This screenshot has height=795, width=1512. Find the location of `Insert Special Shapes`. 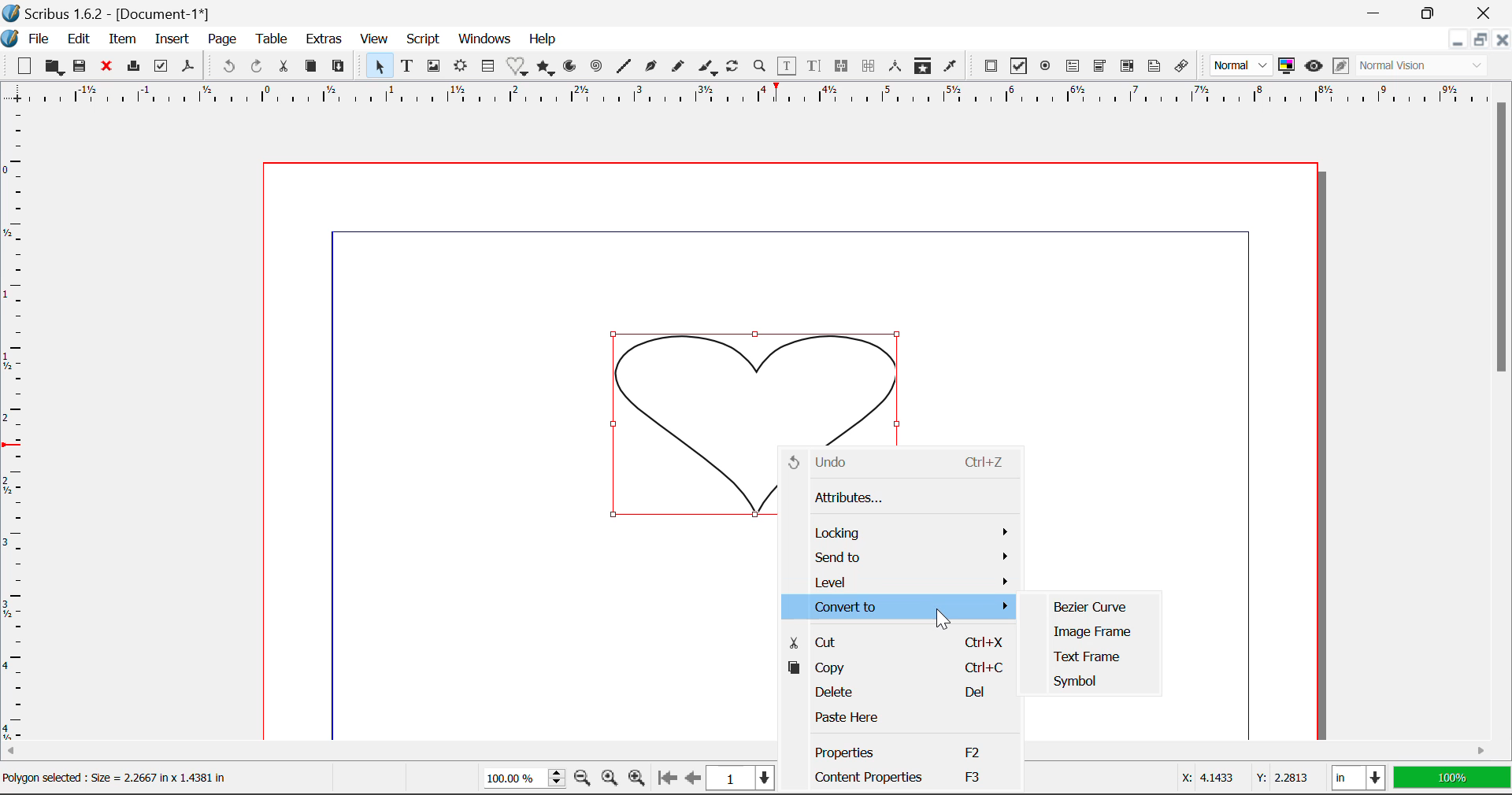

Insert Special Shapes is located at coordinates (518, 68).